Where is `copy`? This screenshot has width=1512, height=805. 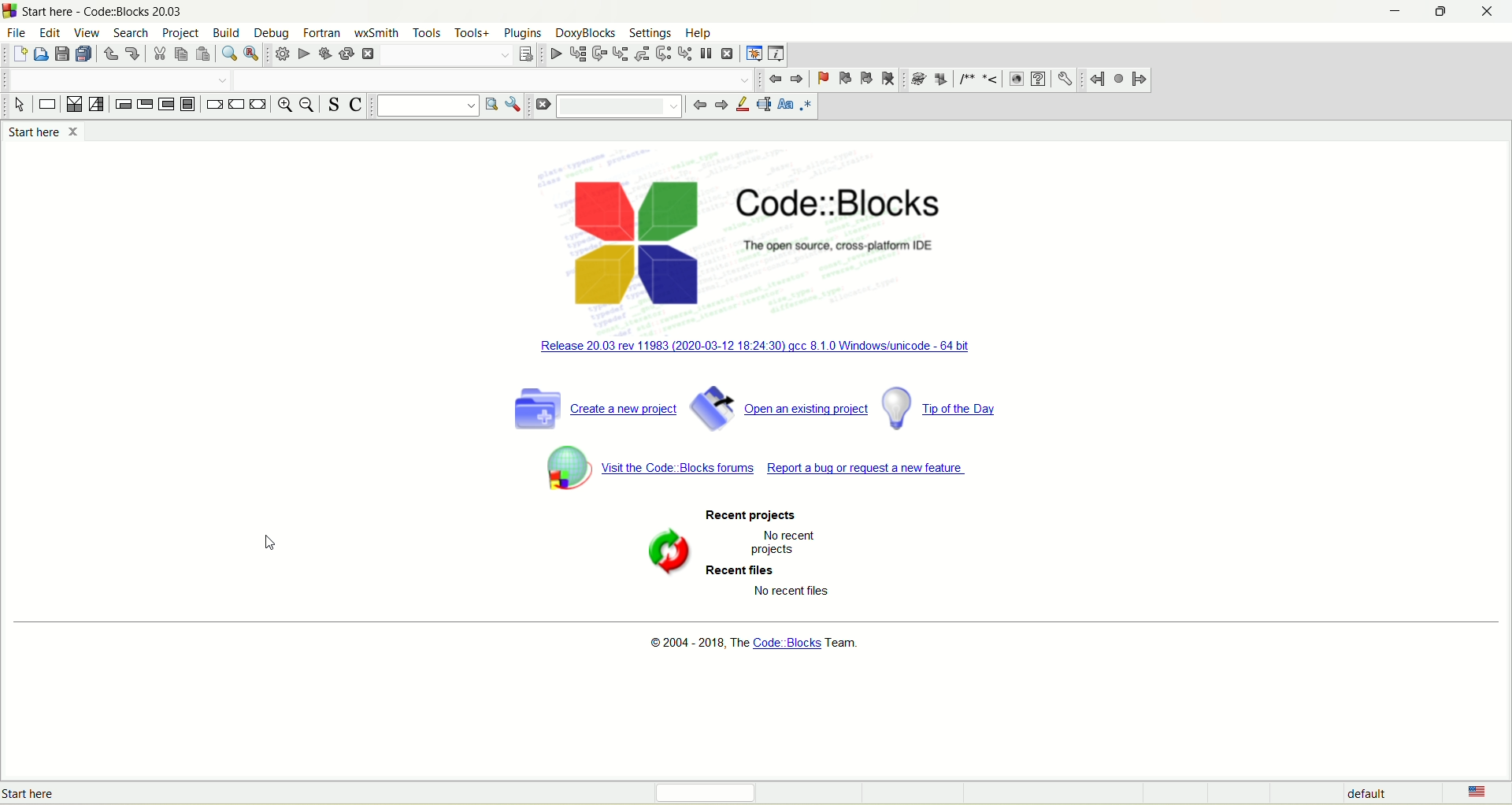 copy is located at coordinates (180, 54).